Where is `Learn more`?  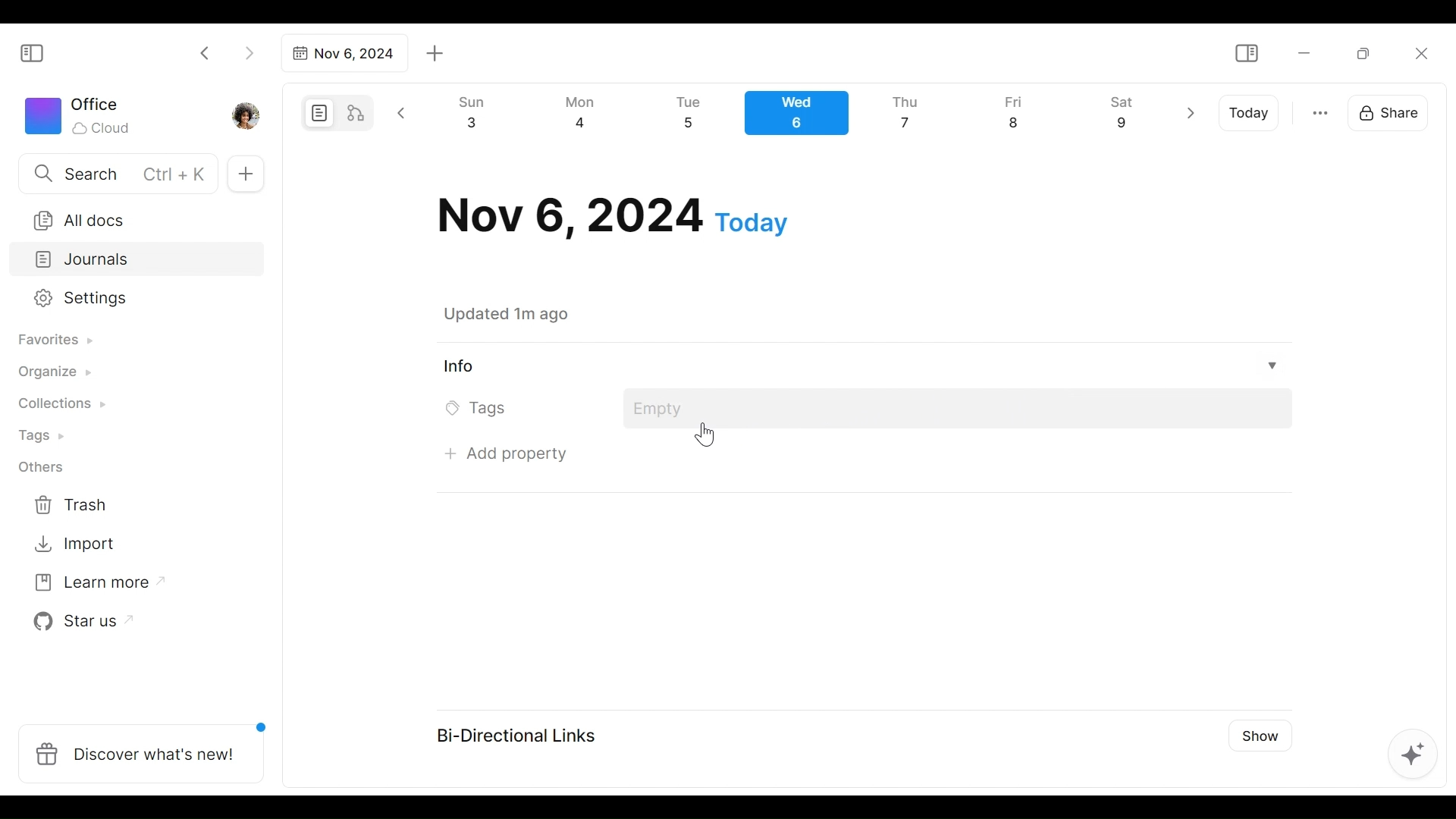
Learn more is located at coordinates (92, 585).